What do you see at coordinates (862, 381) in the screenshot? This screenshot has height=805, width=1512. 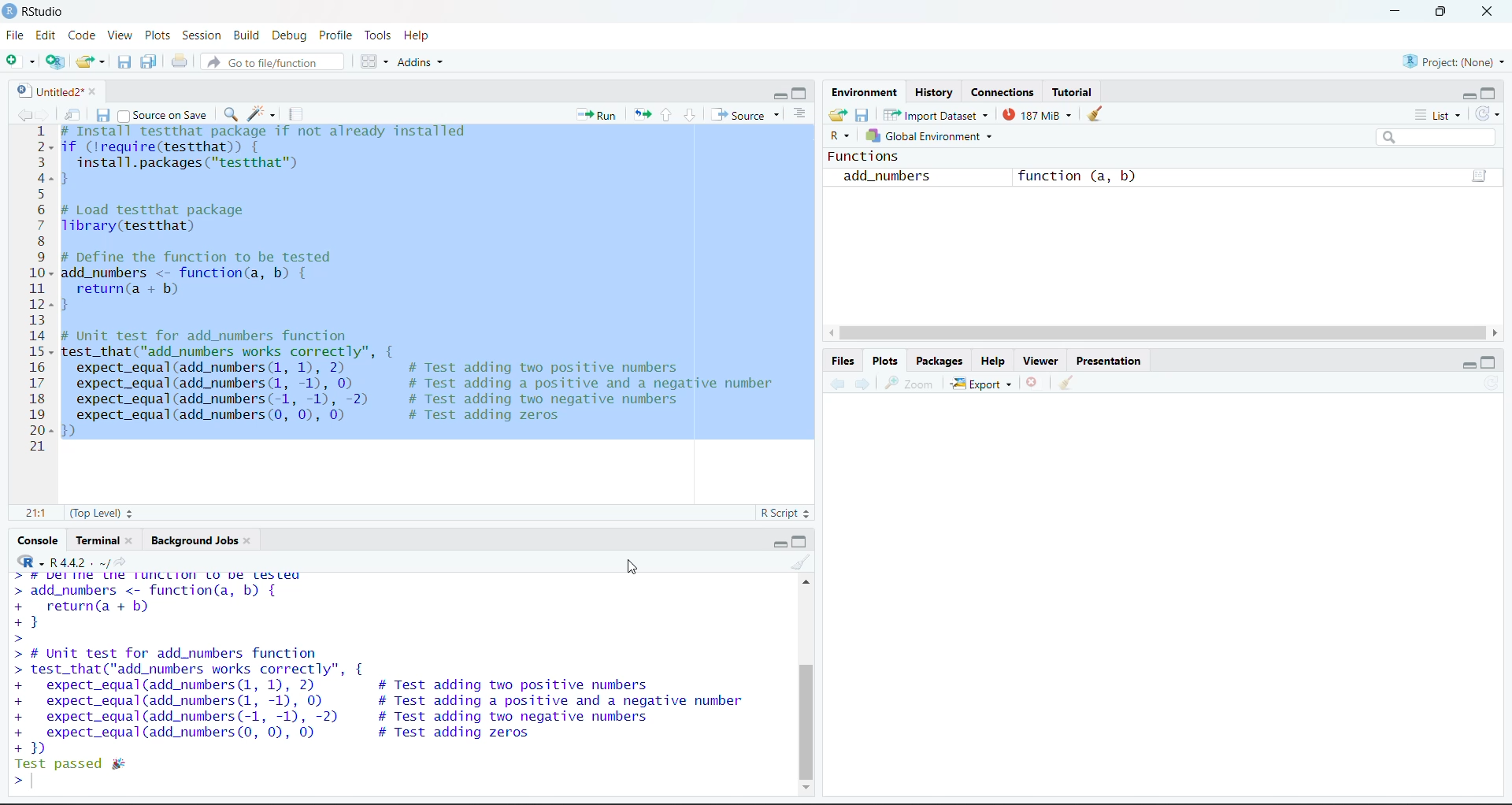 I see `next` at bounding box center [862, 381].